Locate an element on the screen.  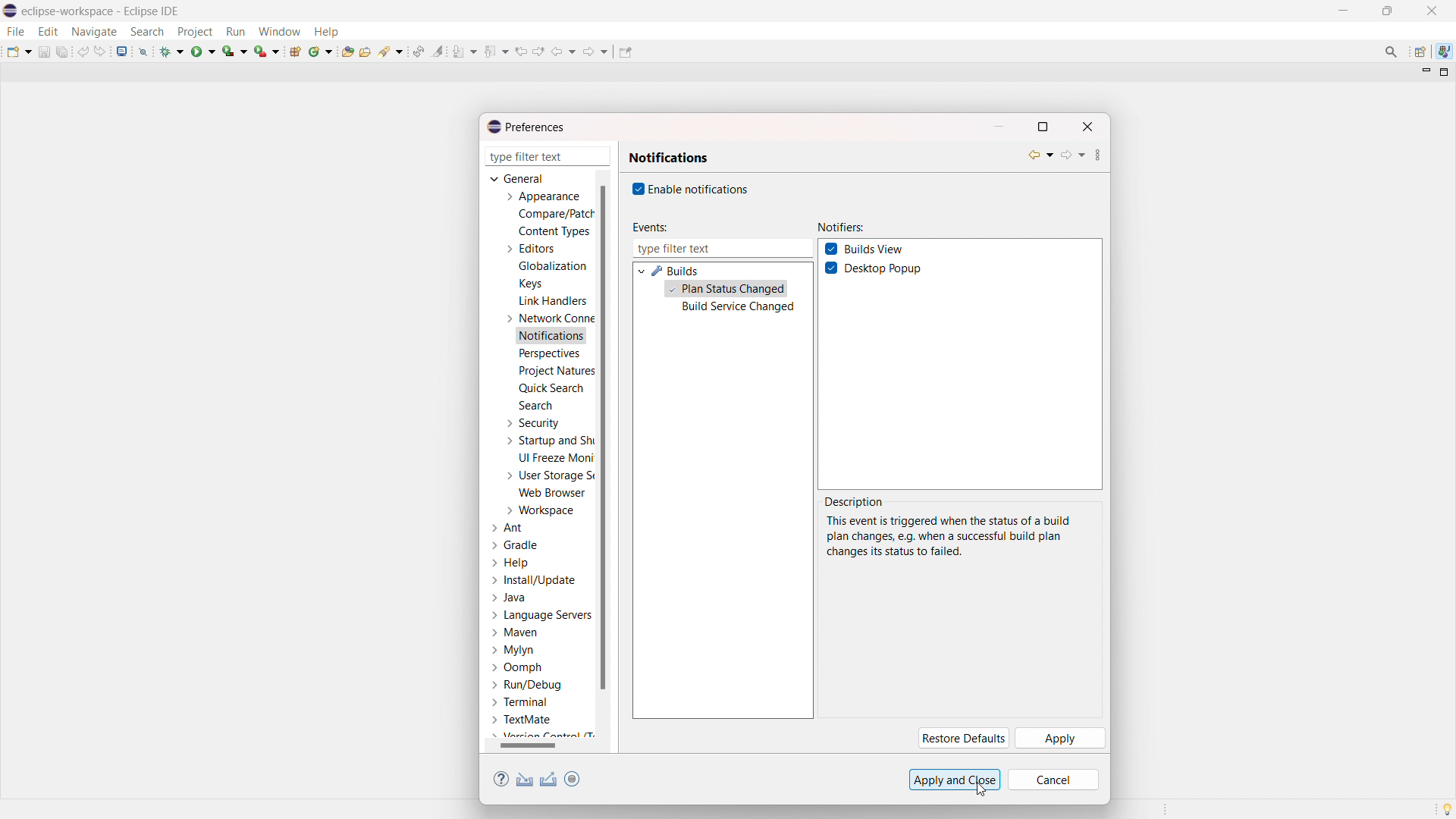
access commands and other items is located at coordinates (1392, 52).